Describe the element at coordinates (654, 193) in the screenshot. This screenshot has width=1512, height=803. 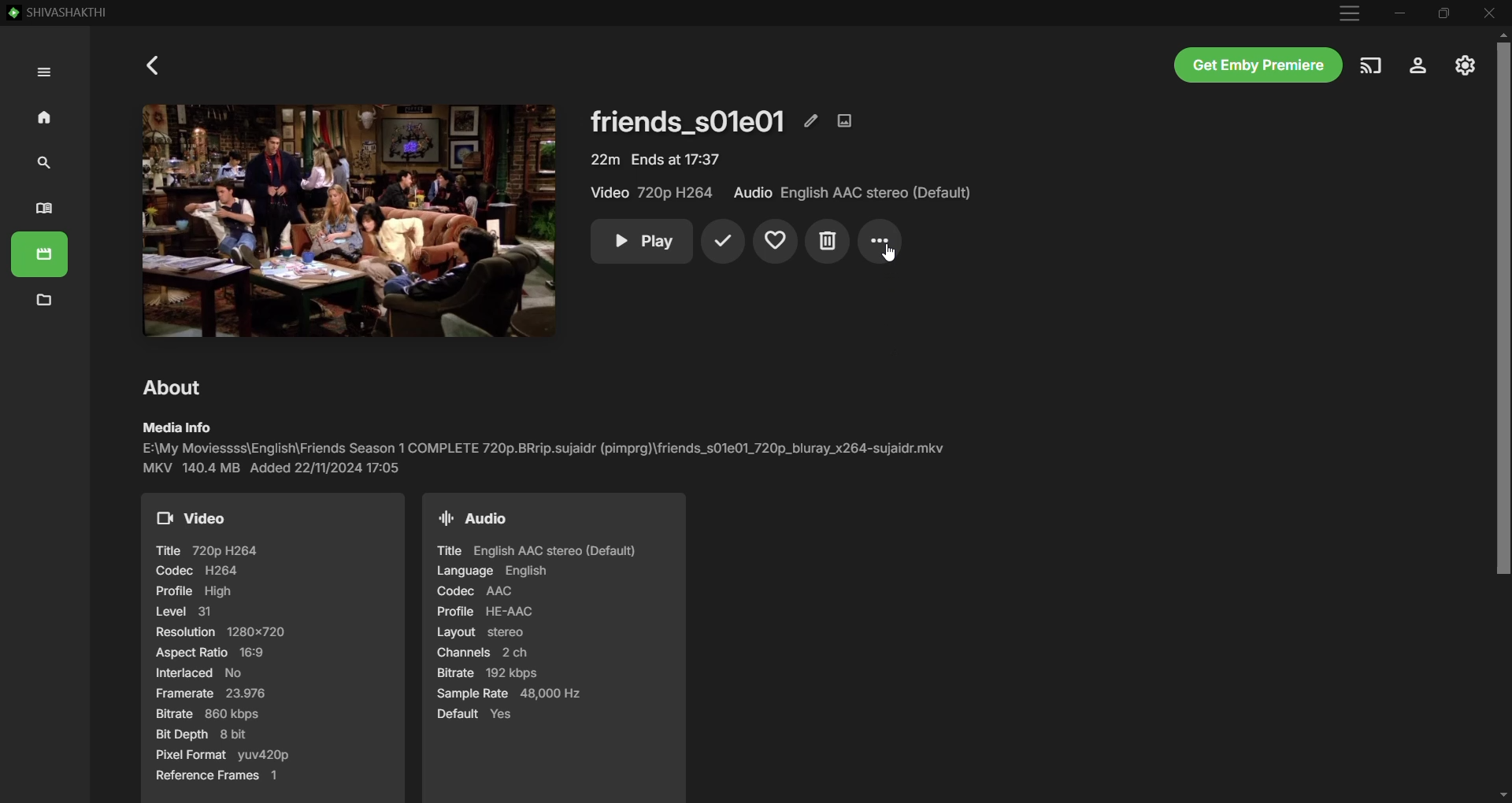
I see `Video Quality` at that location.